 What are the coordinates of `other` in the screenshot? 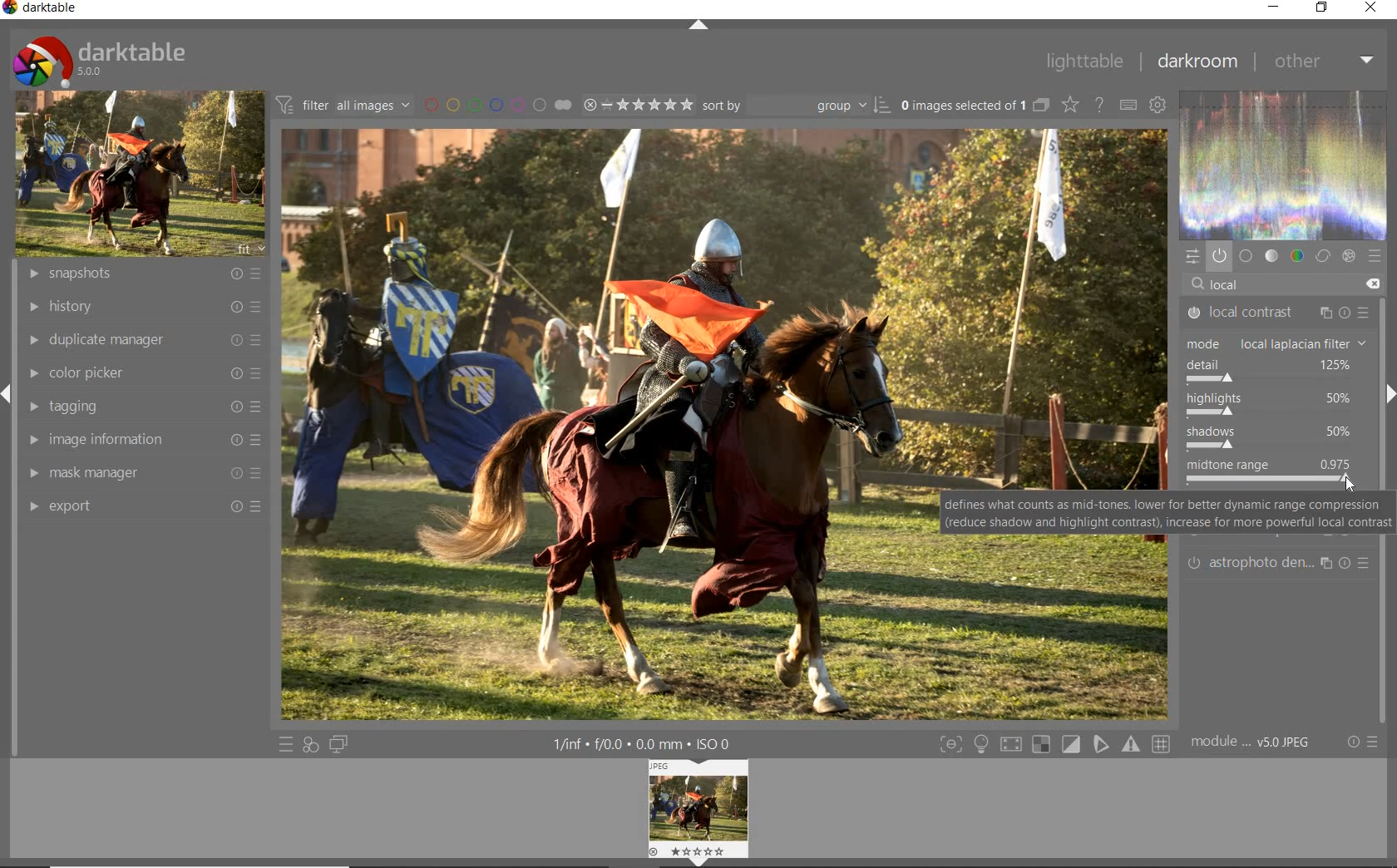 It's located at (1325, 62).